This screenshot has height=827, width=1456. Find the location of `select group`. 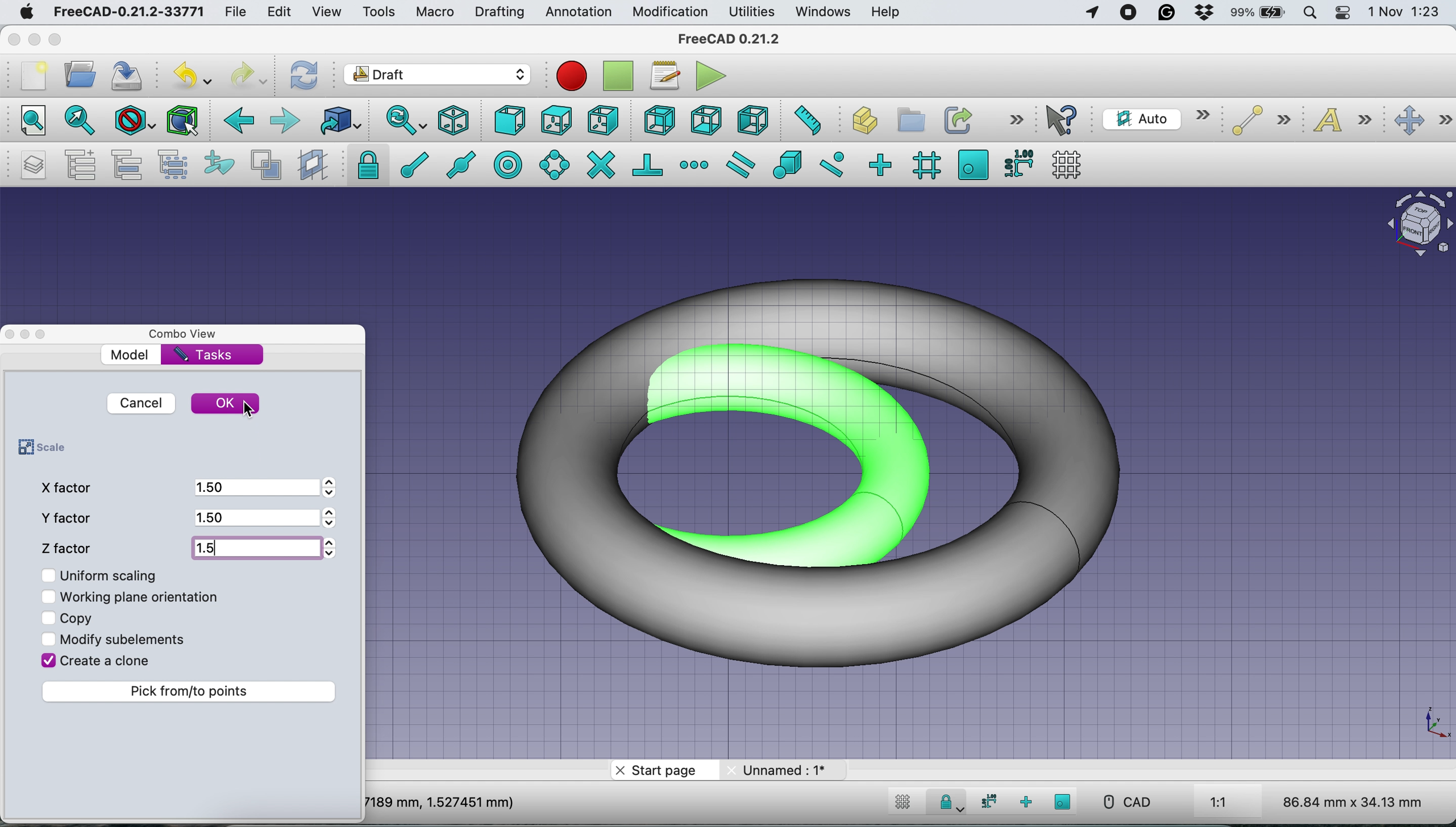

select group is located at coordinates (177, 165).